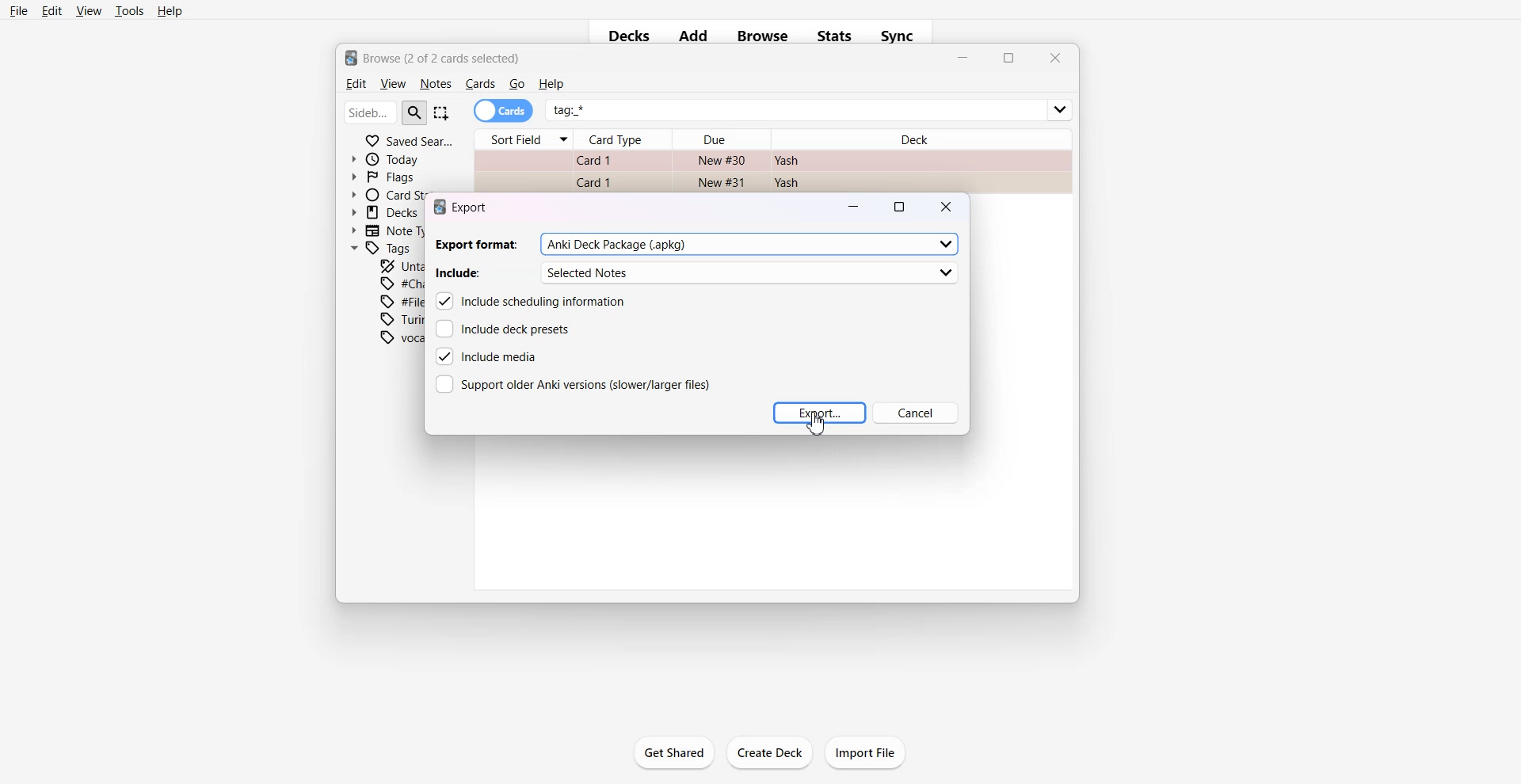  Describe the element at coordinates (624, 37) in the screenshot. I see `Decks` at that location.